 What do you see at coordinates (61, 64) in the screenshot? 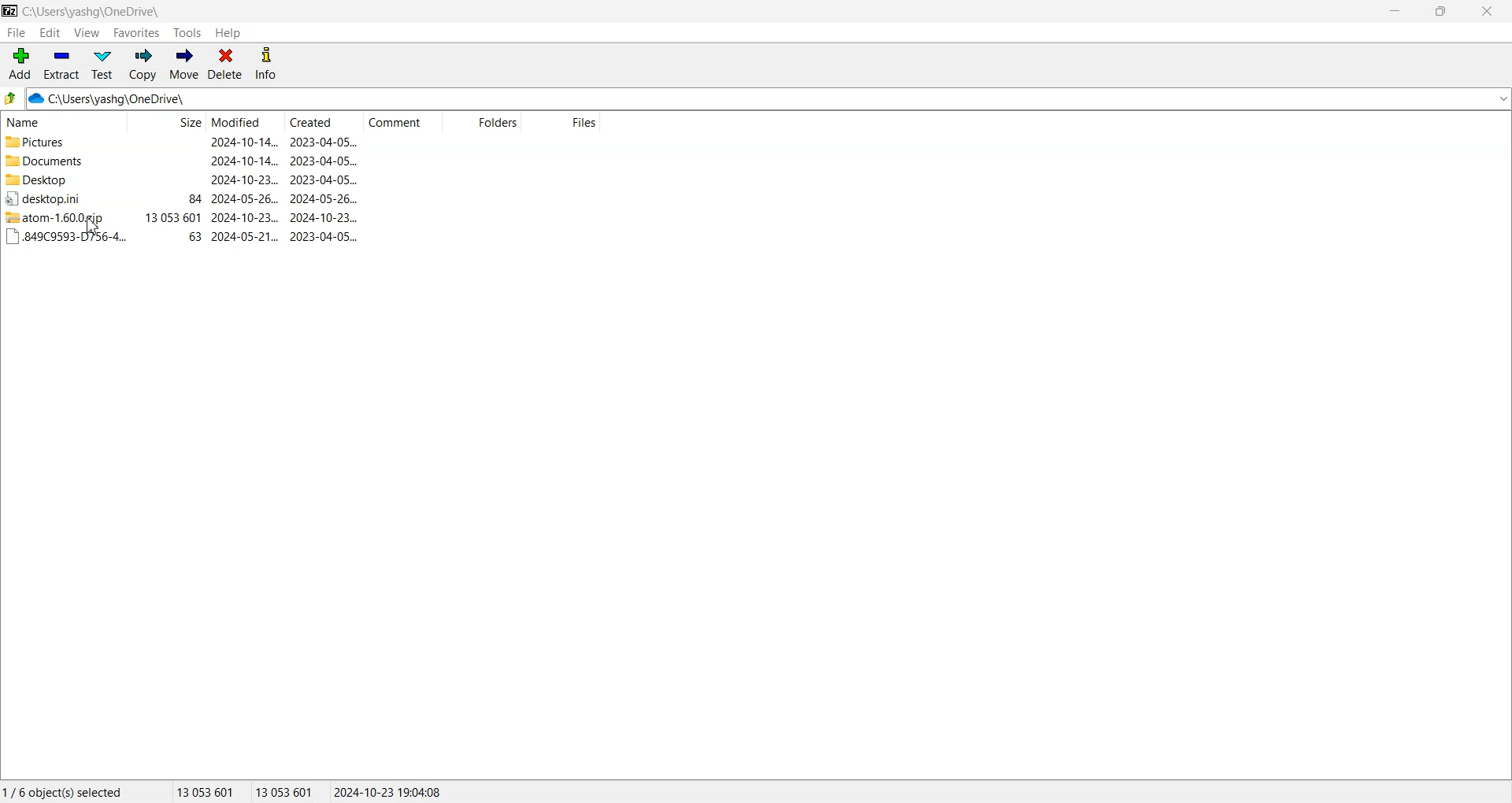
I see `Extract` at bounding box center [61, 64].